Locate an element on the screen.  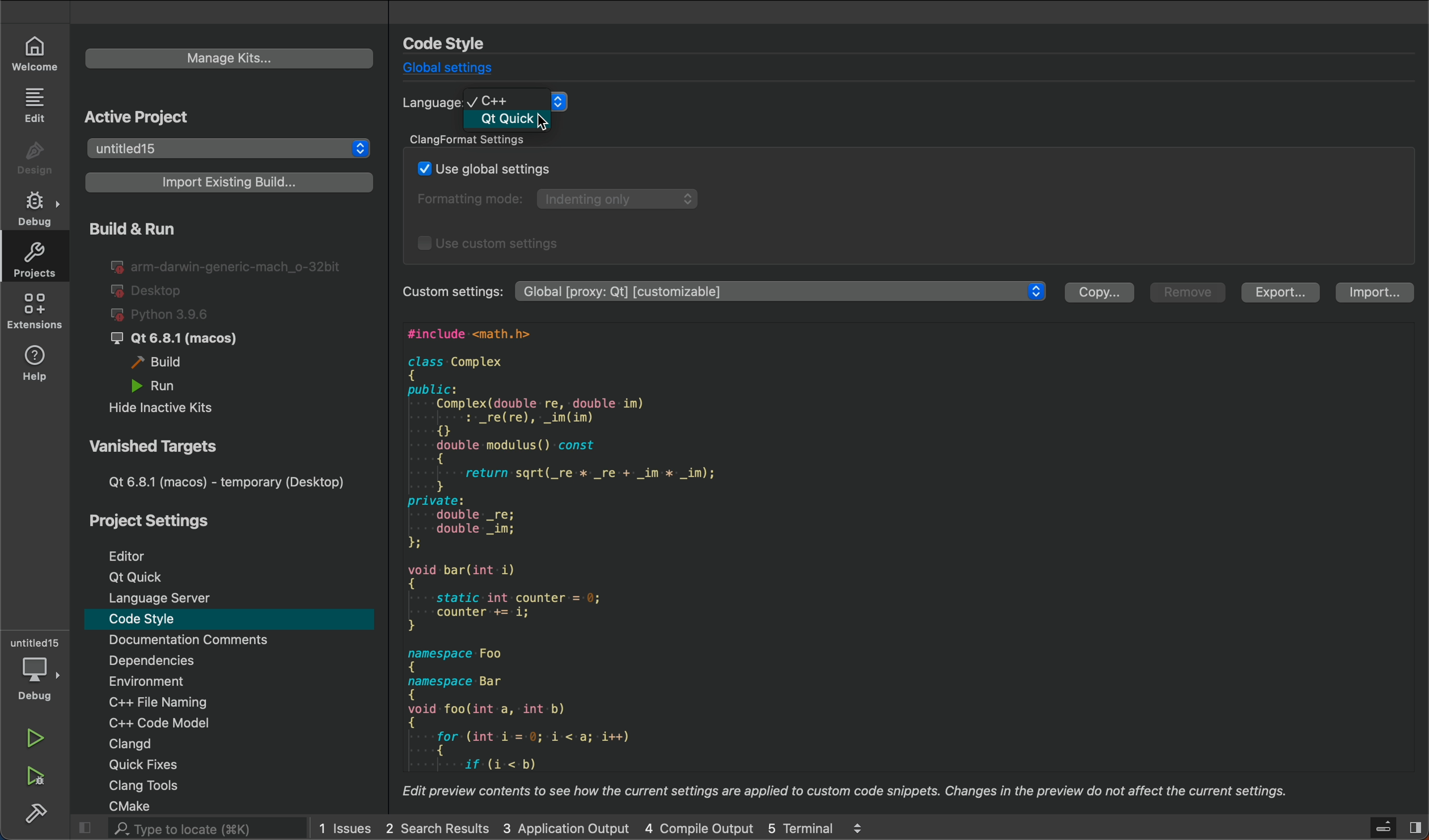
projects is located at coordinates (34, 258).